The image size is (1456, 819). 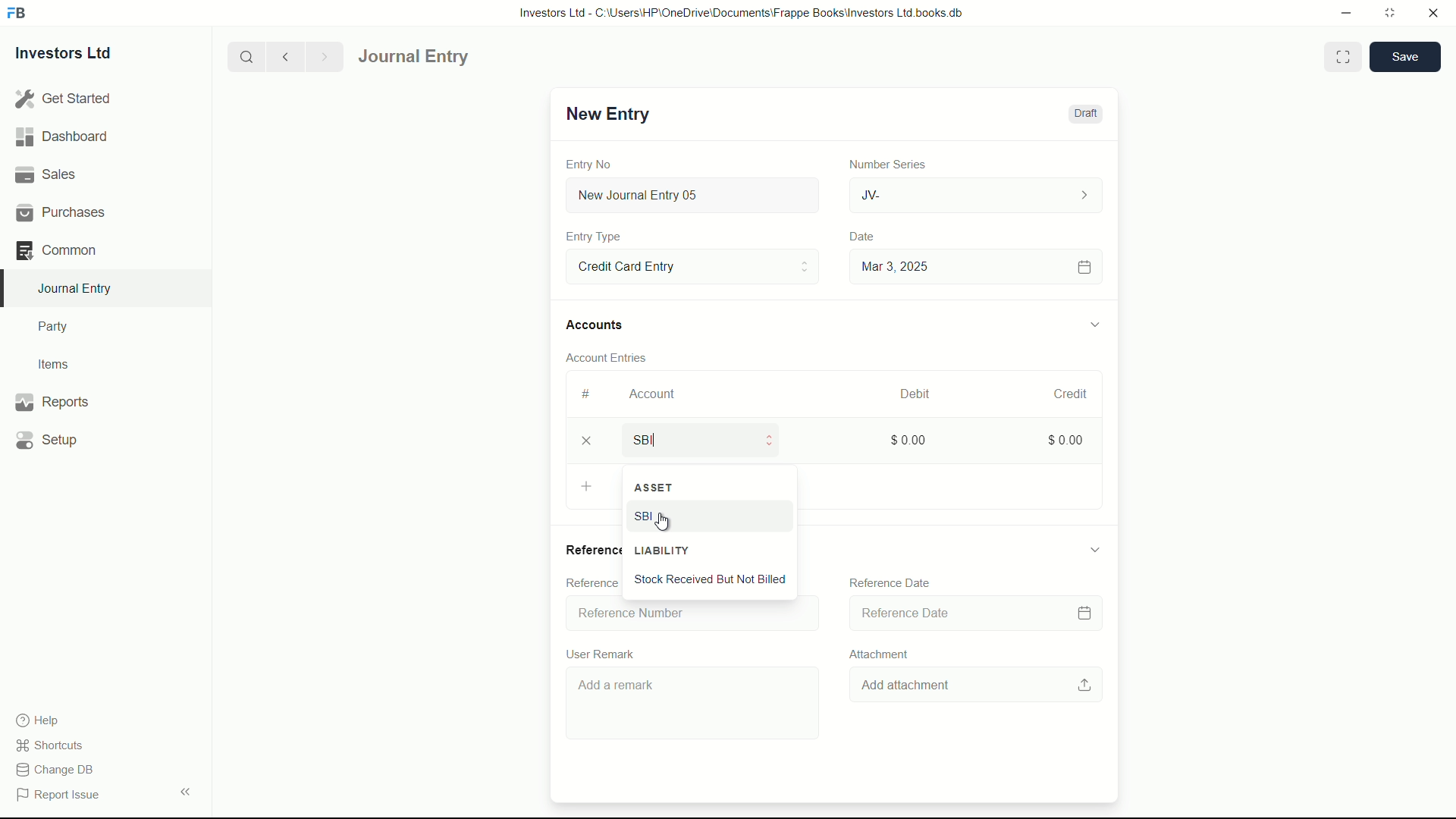 I want to click on journal entry, so click(x=457, y=57).